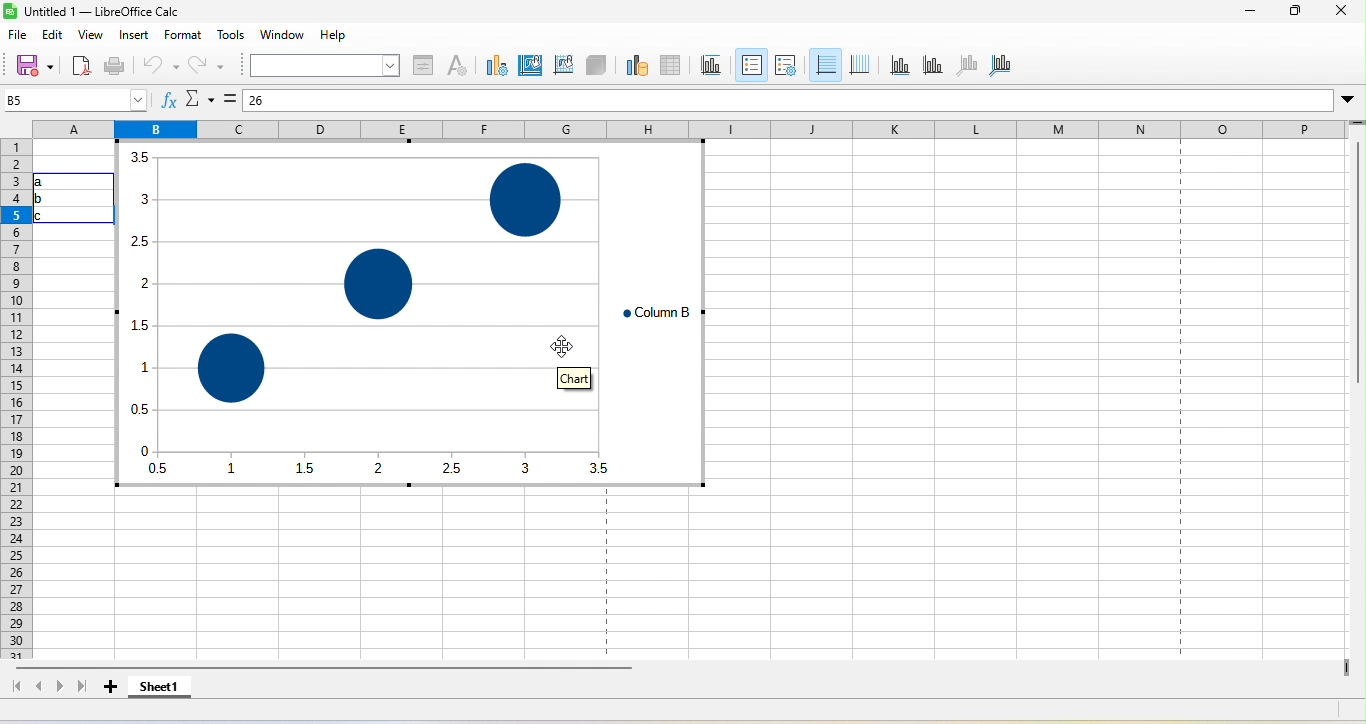 This screenshot has width=1366, height=724. What do you see at coordinates (84, 689) in the screenshot?
I see `last sheet` at bounding box center [84, 689].